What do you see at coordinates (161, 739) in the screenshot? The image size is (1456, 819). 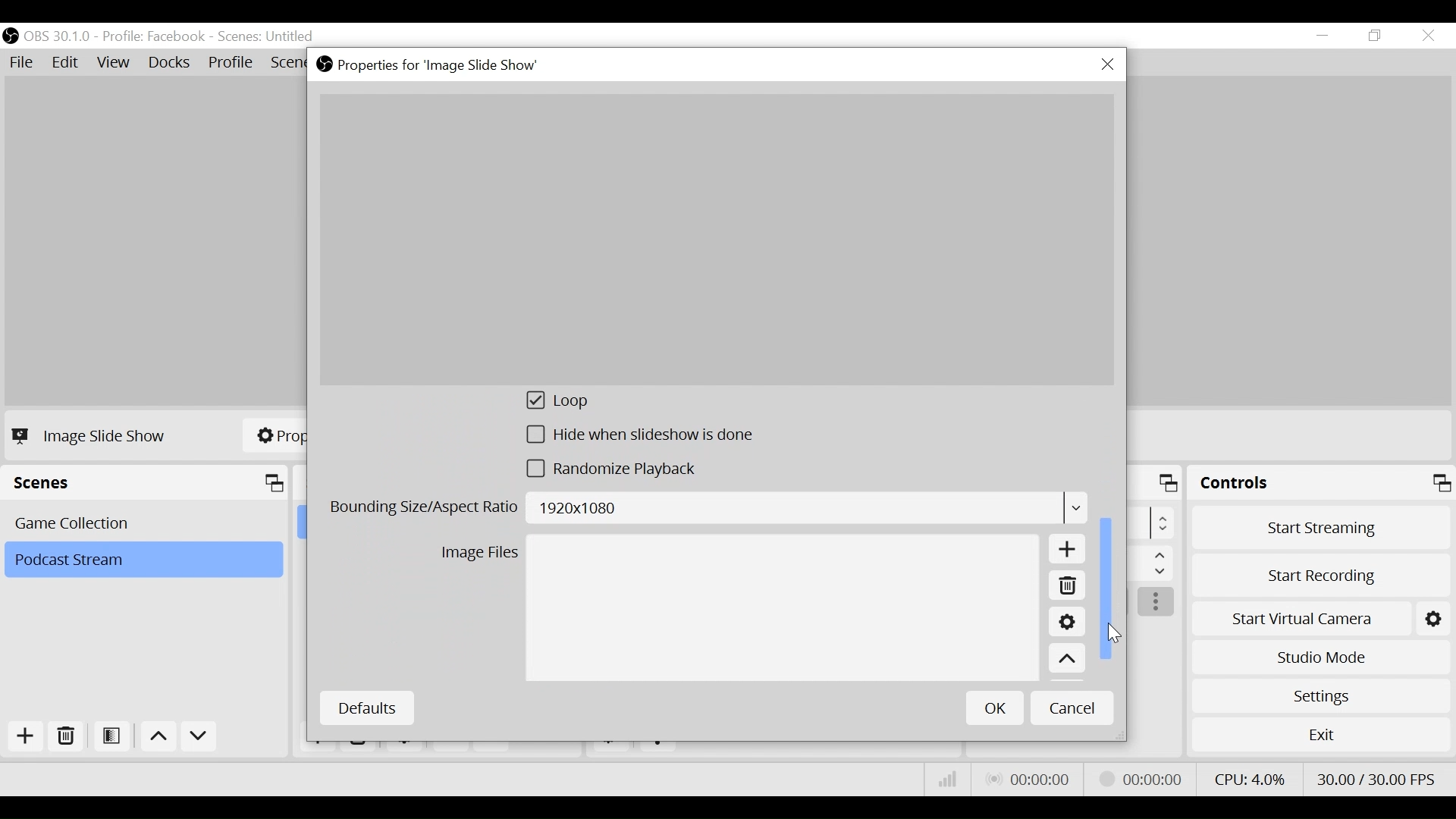 I see `Move up` at bounding box center [161, 739].